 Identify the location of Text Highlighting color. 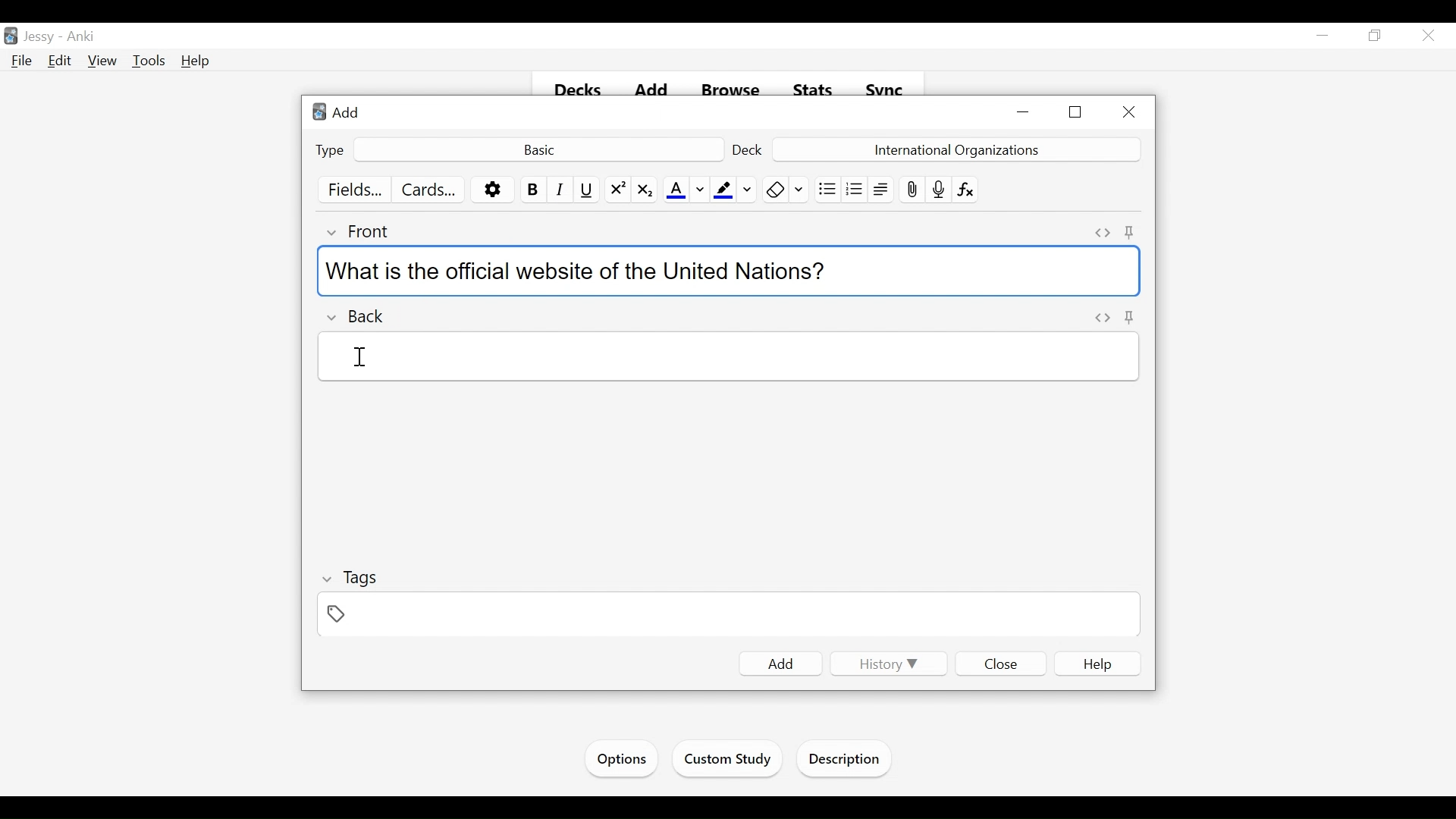
(723, 190).